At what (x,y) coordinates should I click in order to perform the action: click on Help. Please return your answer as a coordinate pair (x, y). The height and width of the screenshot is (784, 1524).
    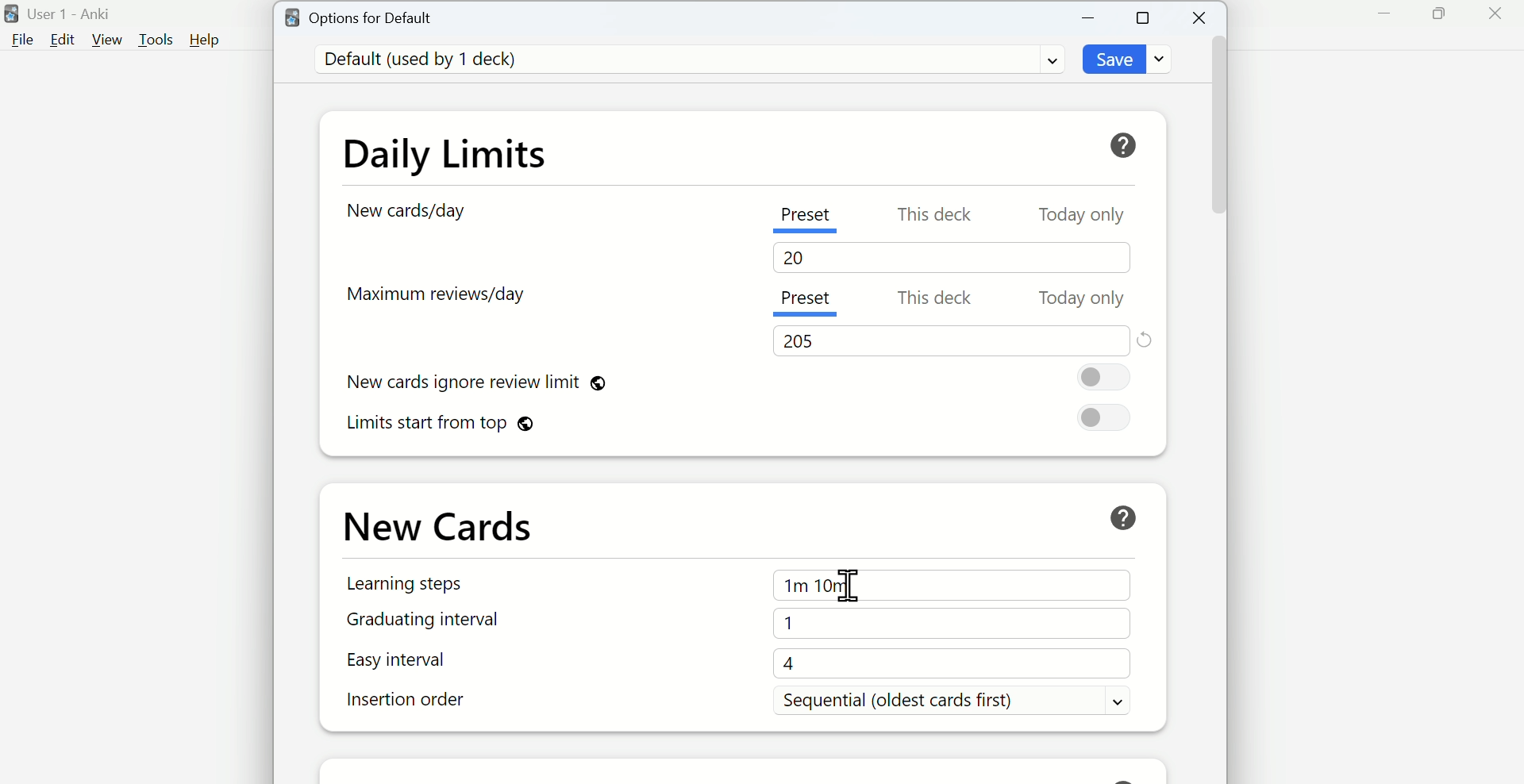
    Looking at the image, I should click on (1130, 141).